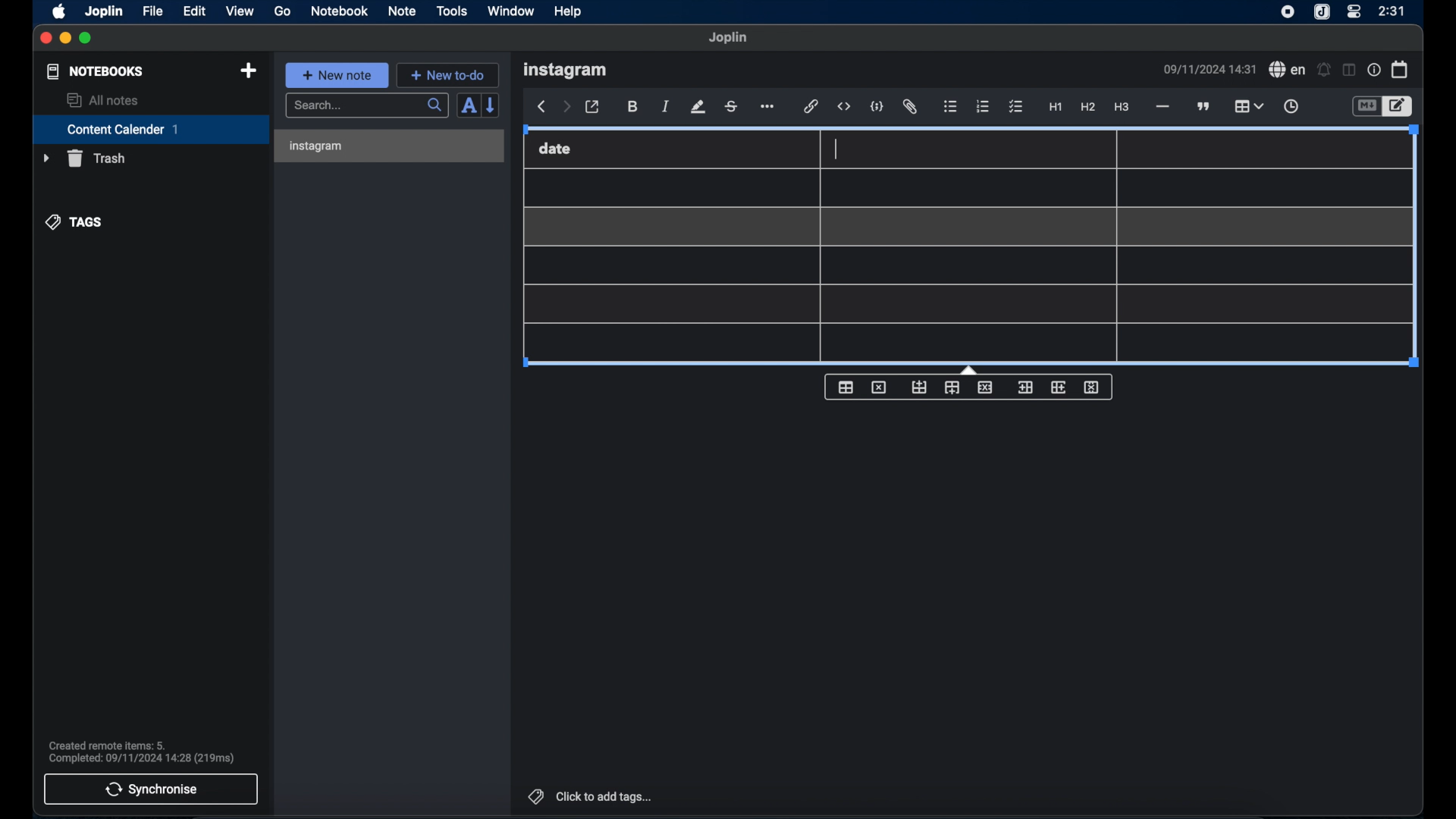 The image size is (1456, 819). Describe the element at coordinates (539, 107) in the screenshot. I see `back` at that location.